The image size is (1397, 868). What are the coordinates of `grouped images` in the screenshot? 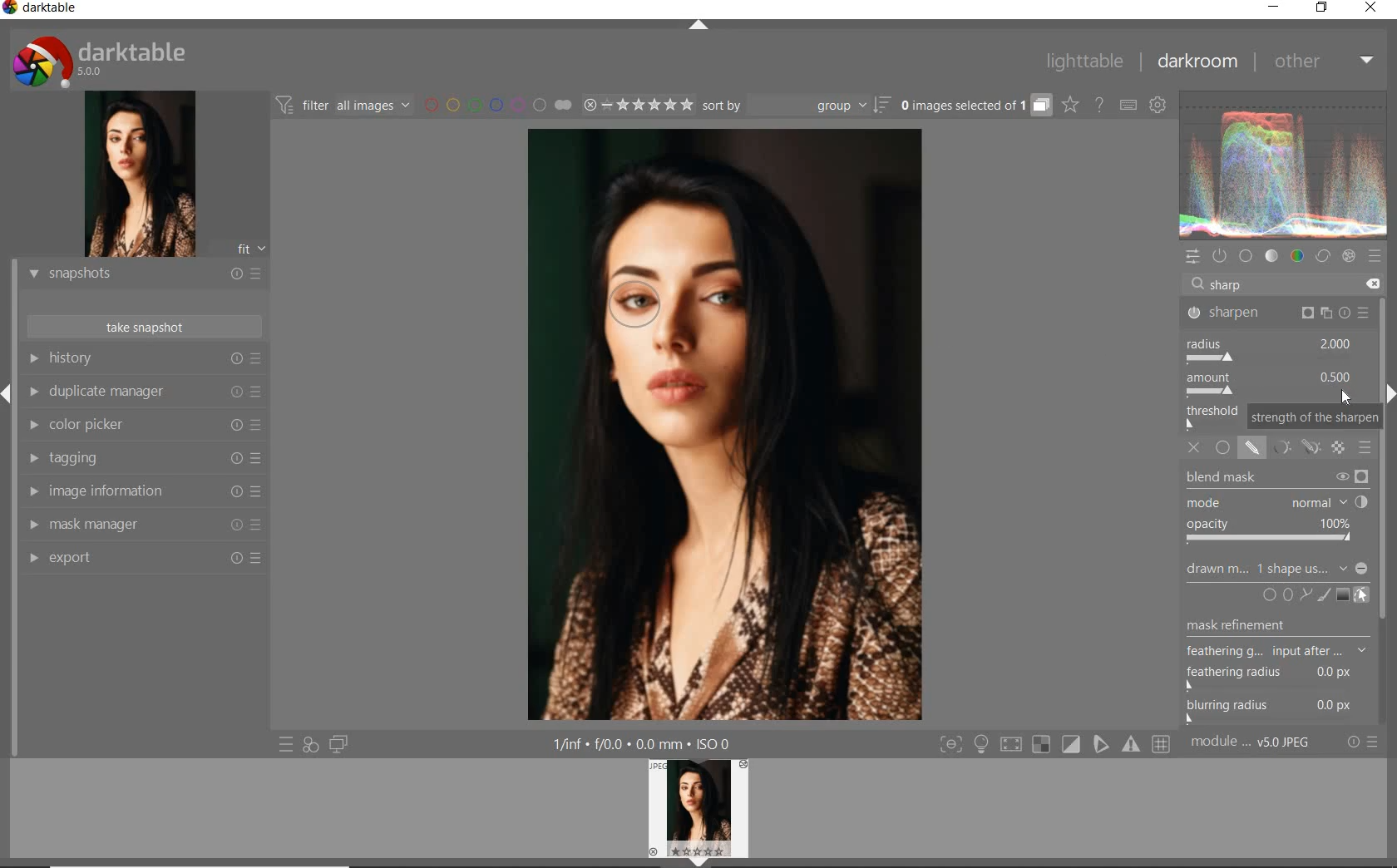 It's located at (976, 106).